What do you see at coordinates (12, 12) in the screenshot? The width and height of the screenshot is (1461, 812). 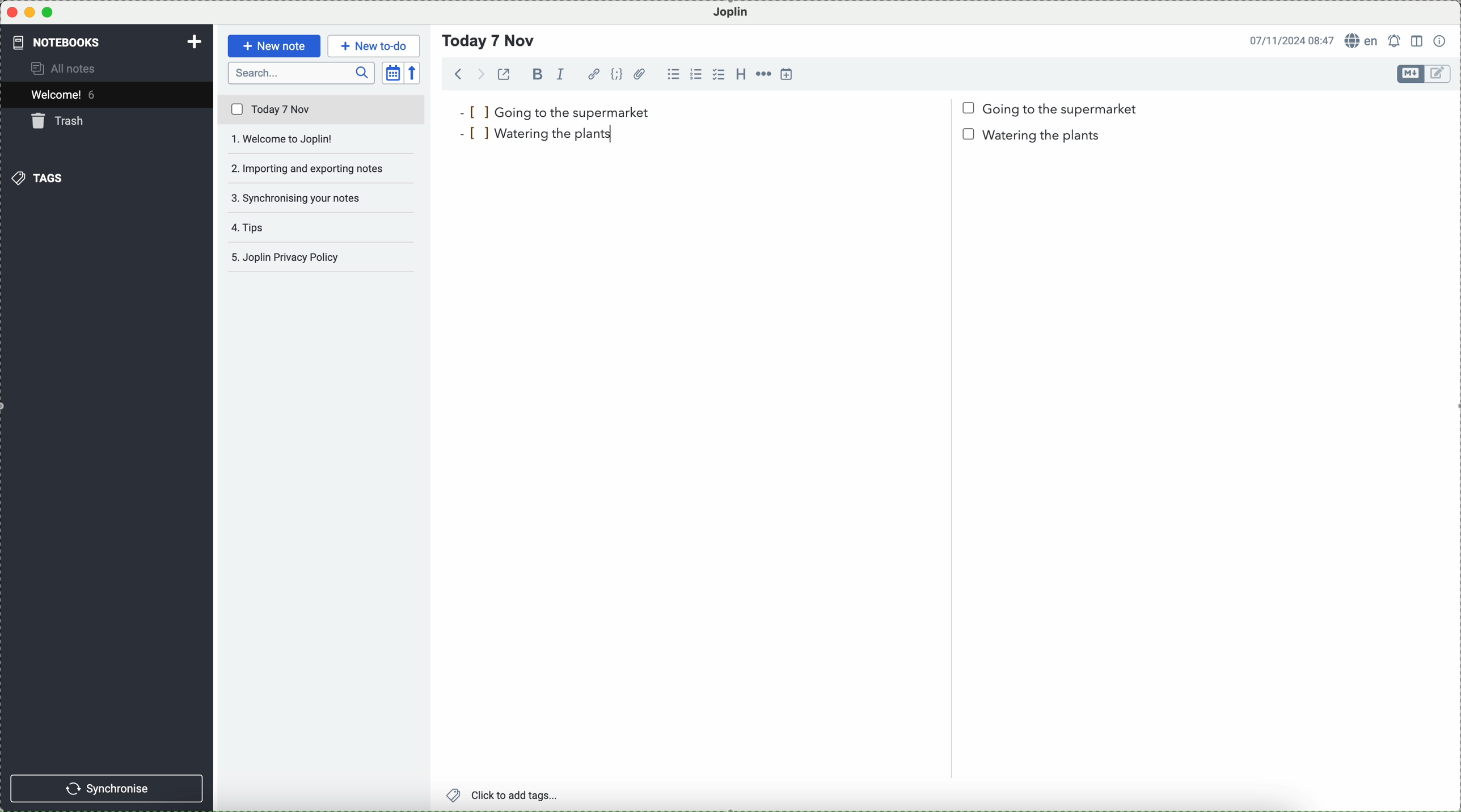 I see `close` at bounding box center [12, 12].